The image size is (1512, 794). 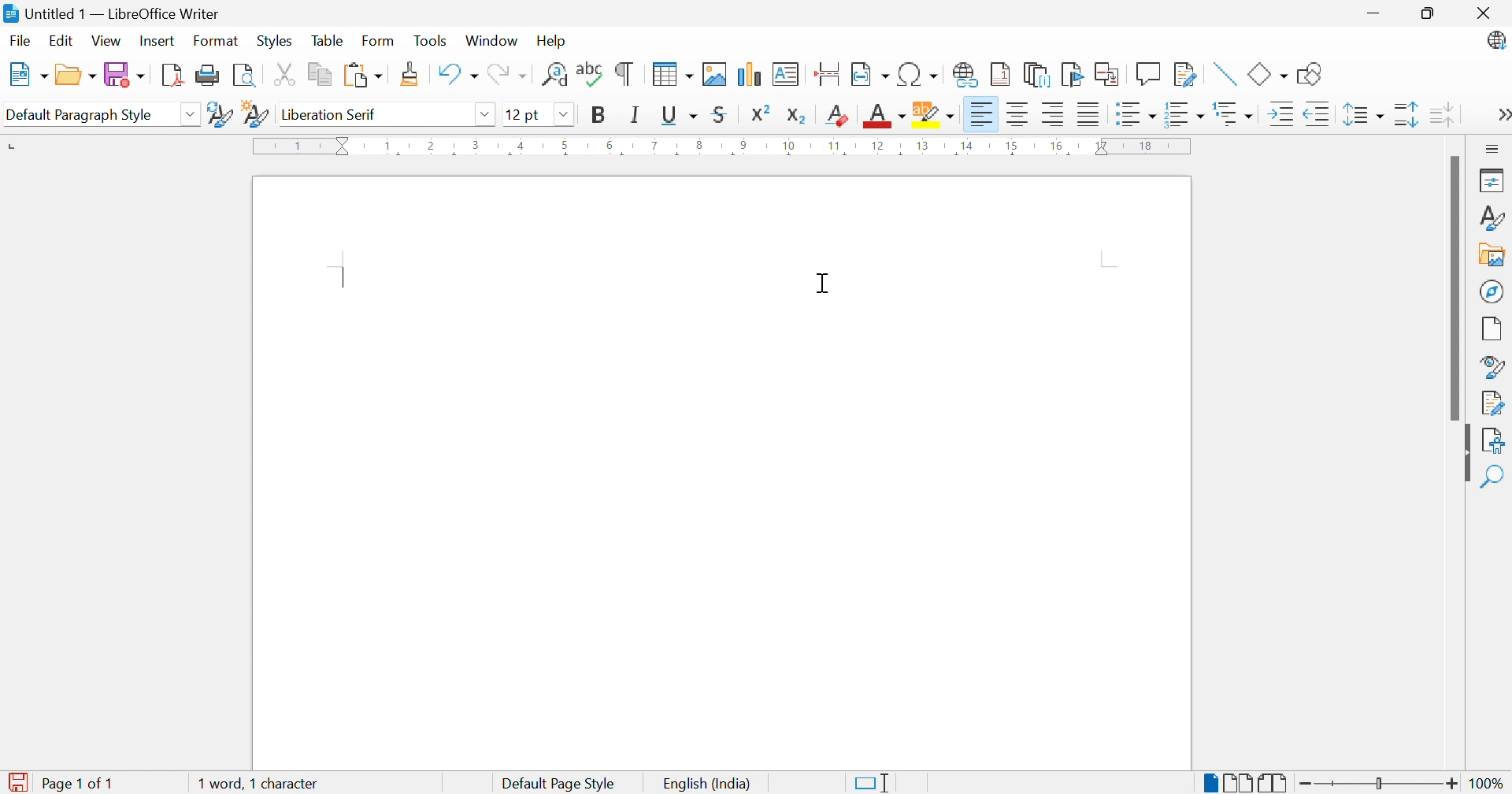 What do you see at coordinates (999, 76) in the screenshot?
I see `Insert Footnote` at bounding box center [999, 76].